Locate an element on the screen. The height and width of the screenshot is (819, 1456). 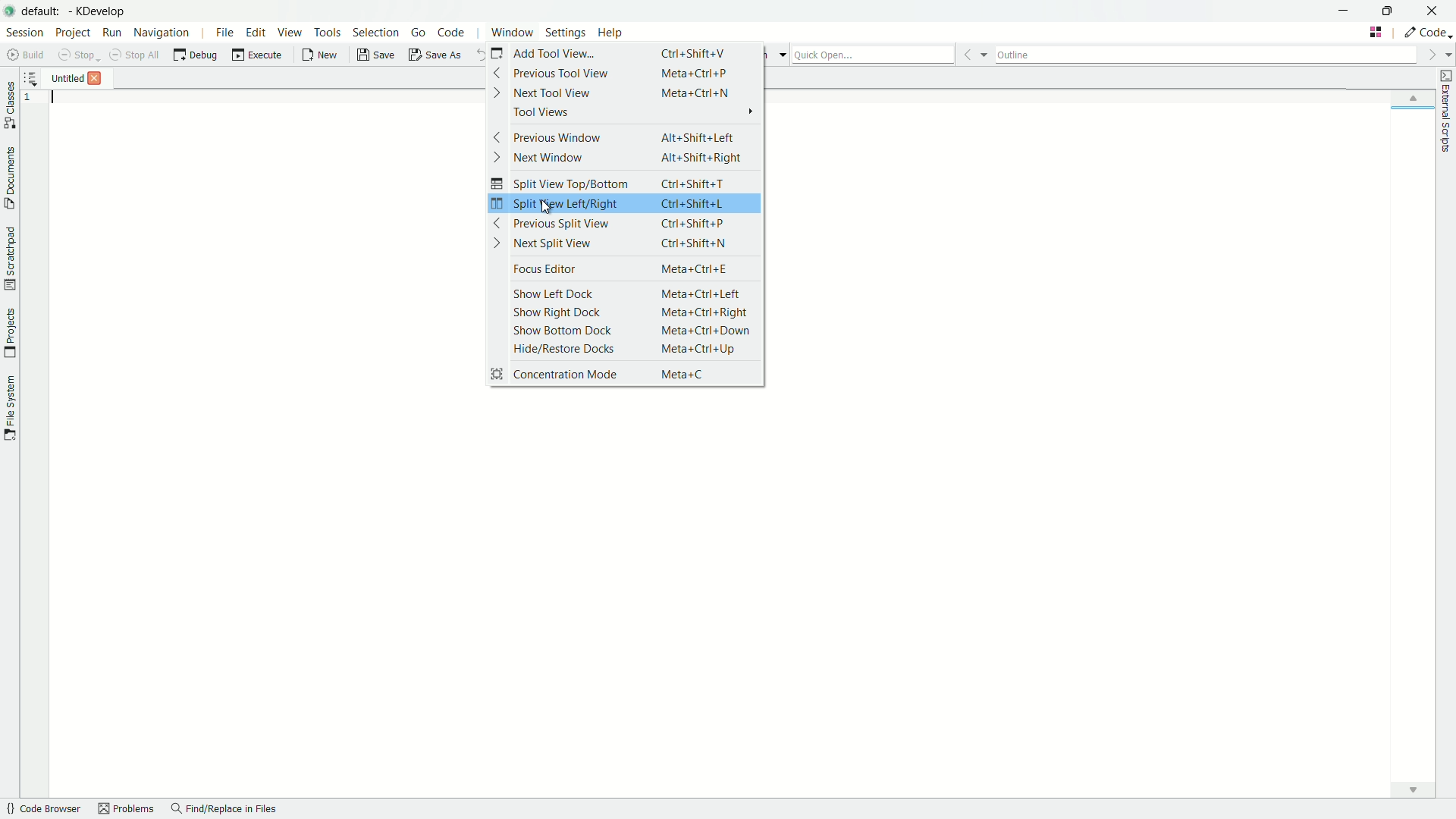
debug is located at coordinates (195, 55).